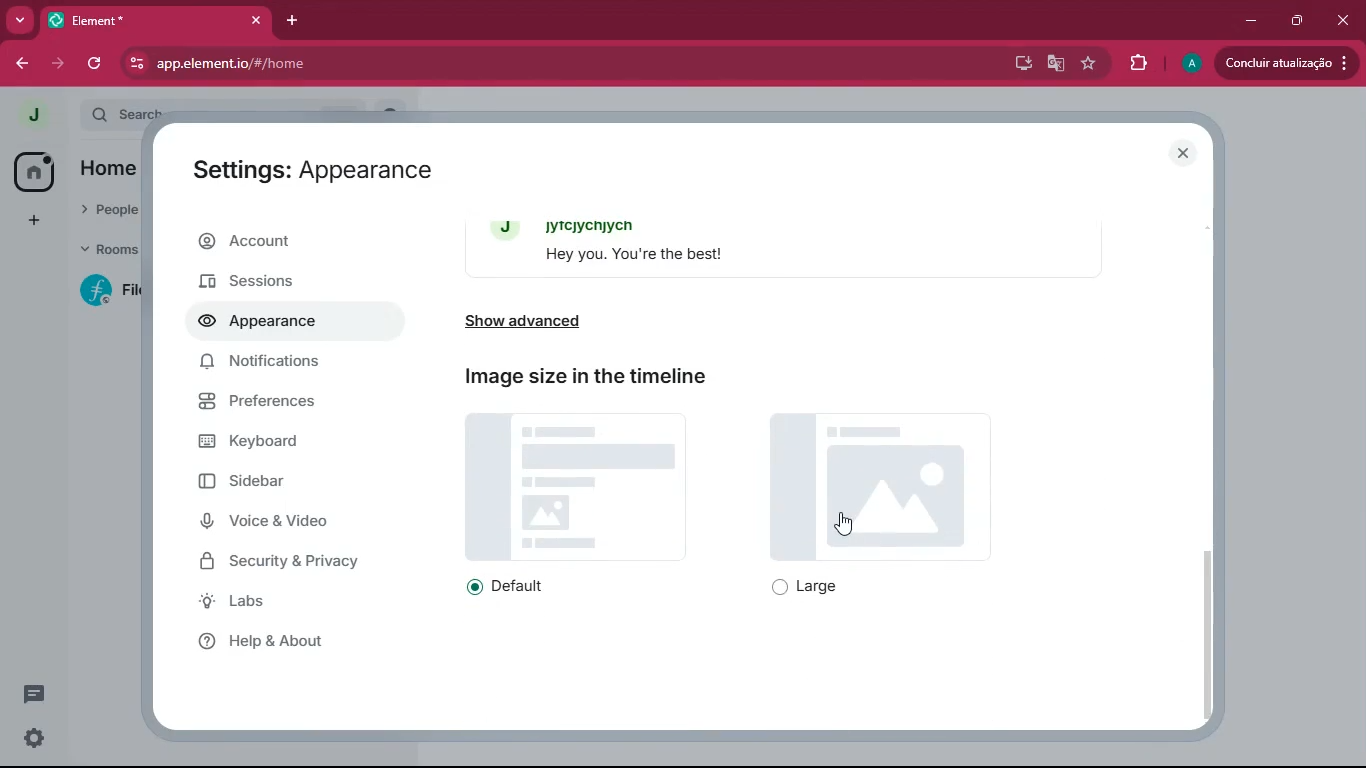  What do you see at coordinates (289, 242) in the screenshot?
I see `account` at bounding box center [289, 242].